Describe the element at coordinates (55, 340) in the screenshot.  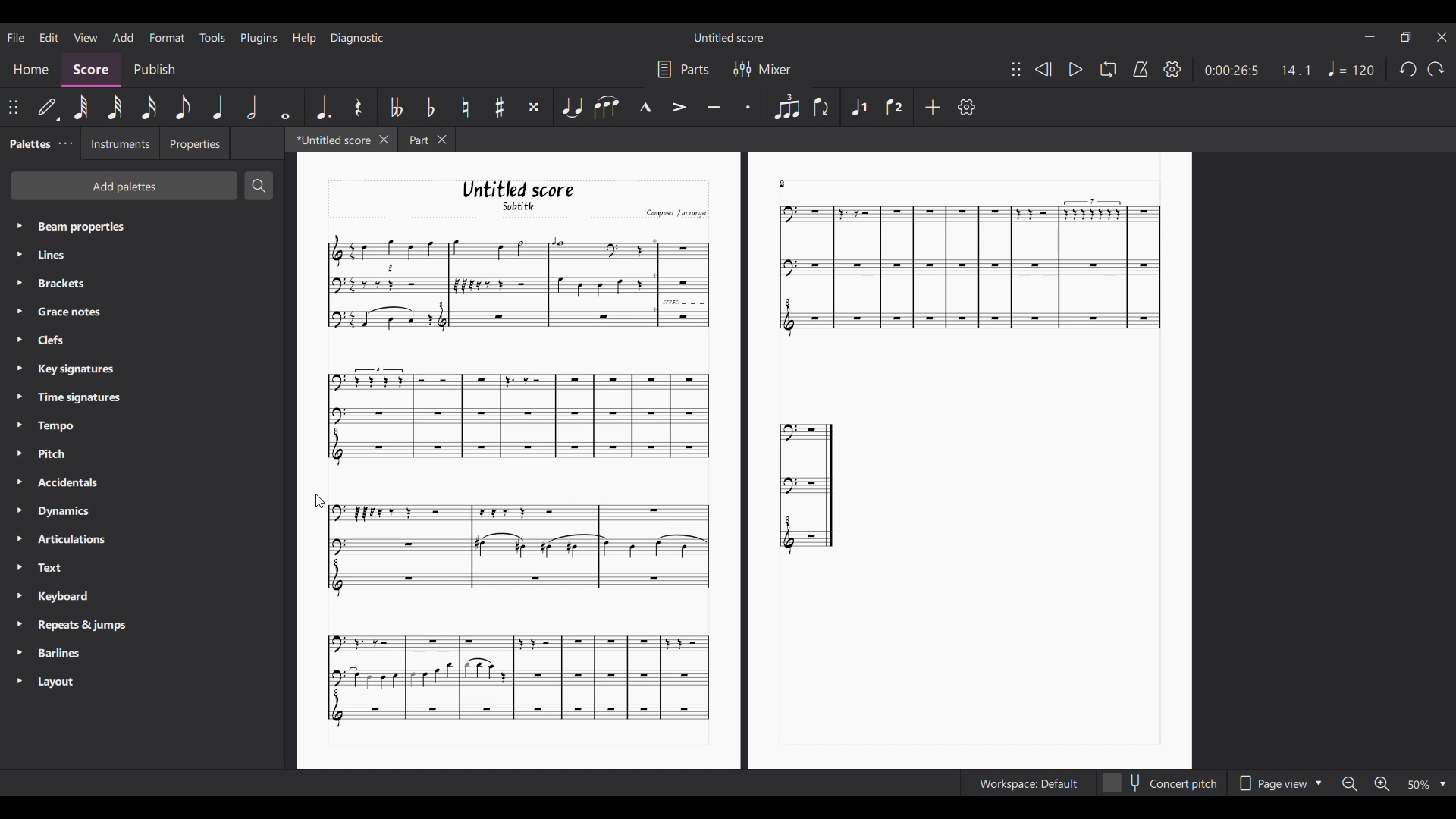
I see `»  Clefs` at that location.